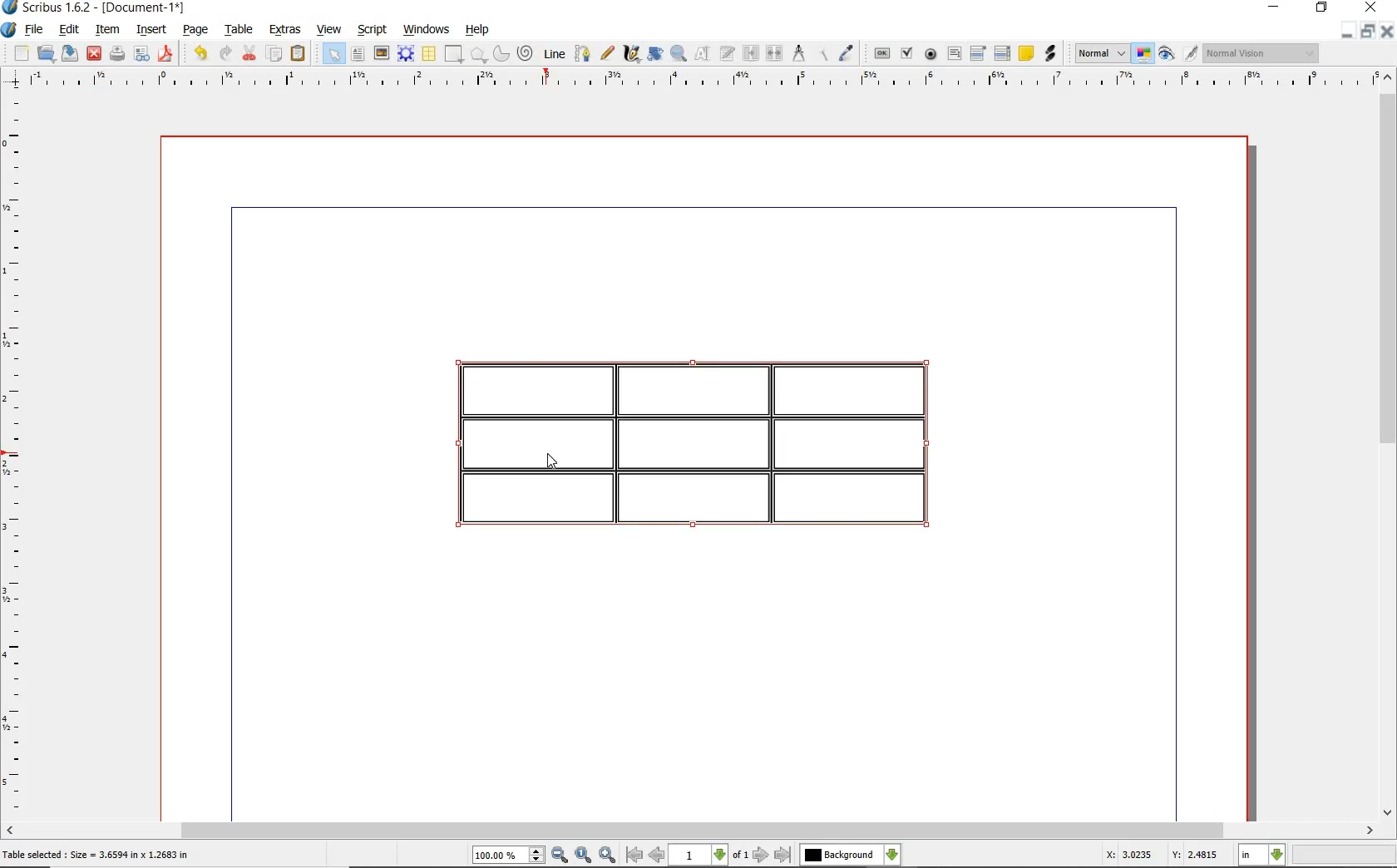 Image resolution: width=1397 pixels, height=868 pixels. What do you see at coordinates (196, 31) in the screenshot?
I see `page` at bounding box center [196, 31].